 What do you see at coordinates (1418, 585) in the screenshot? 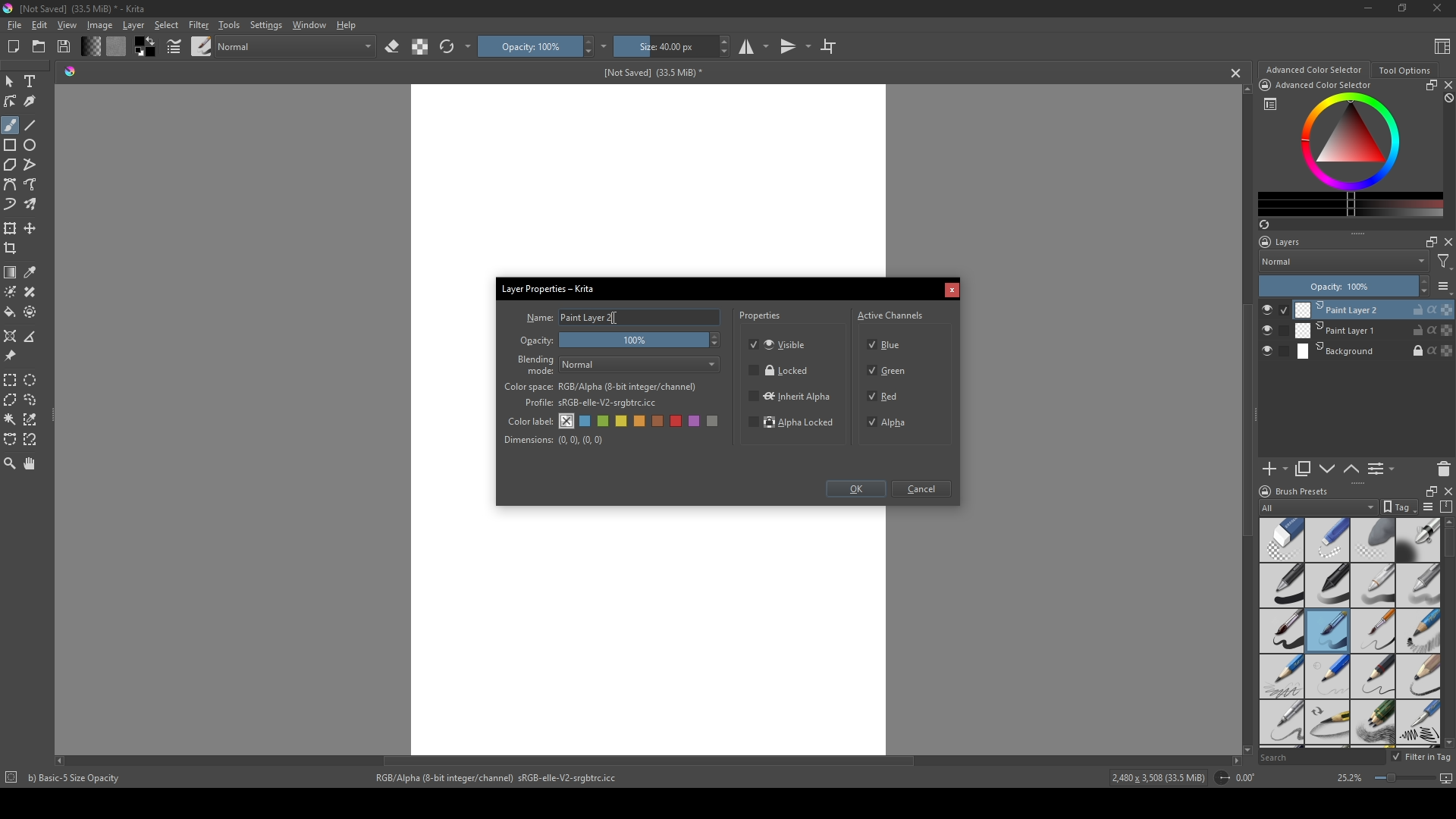
I see `grey pen` at bounding box center [1418, 585].